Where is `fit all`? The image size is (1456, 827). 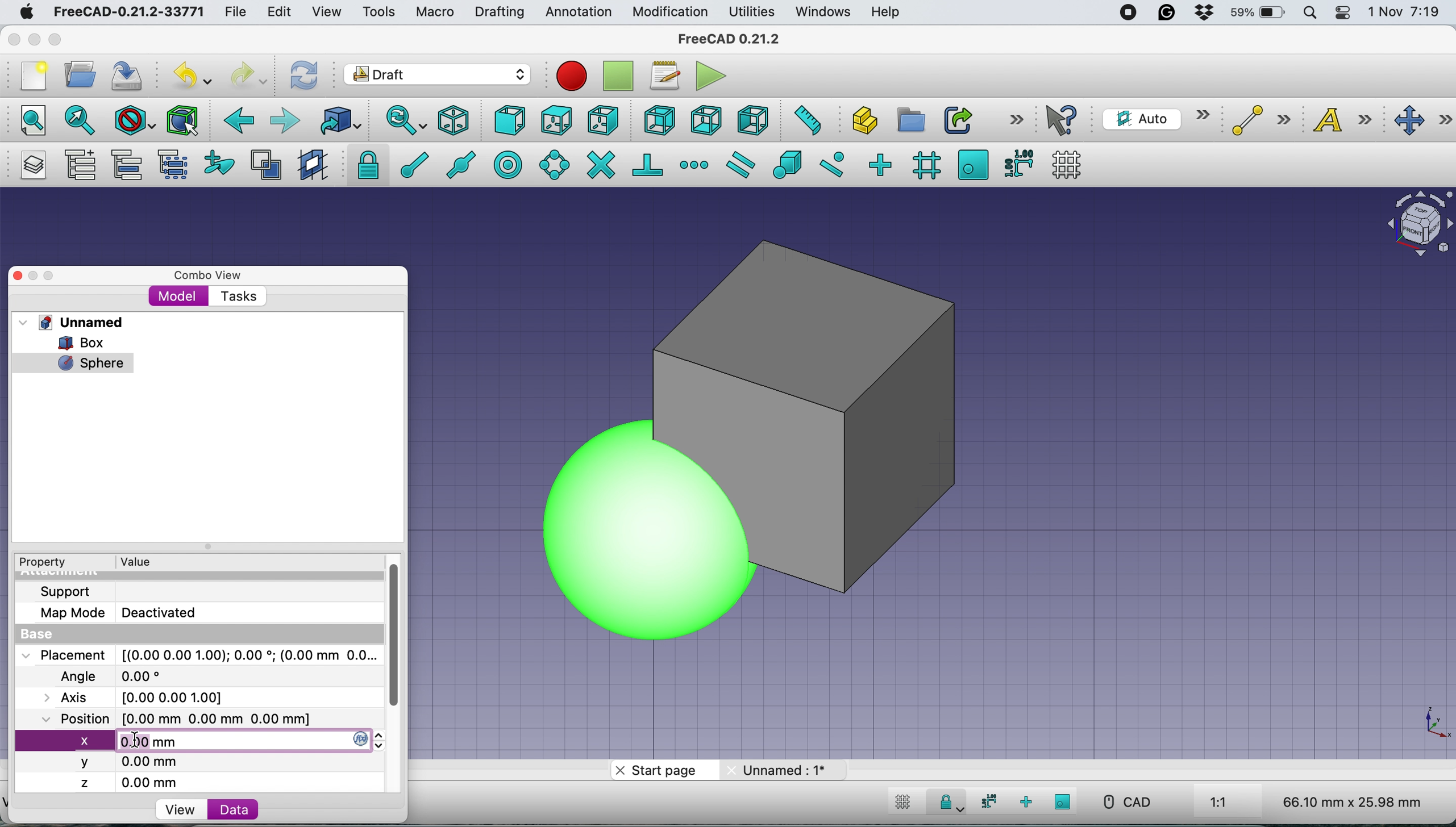
fit all is located at coordinates (27, 119).